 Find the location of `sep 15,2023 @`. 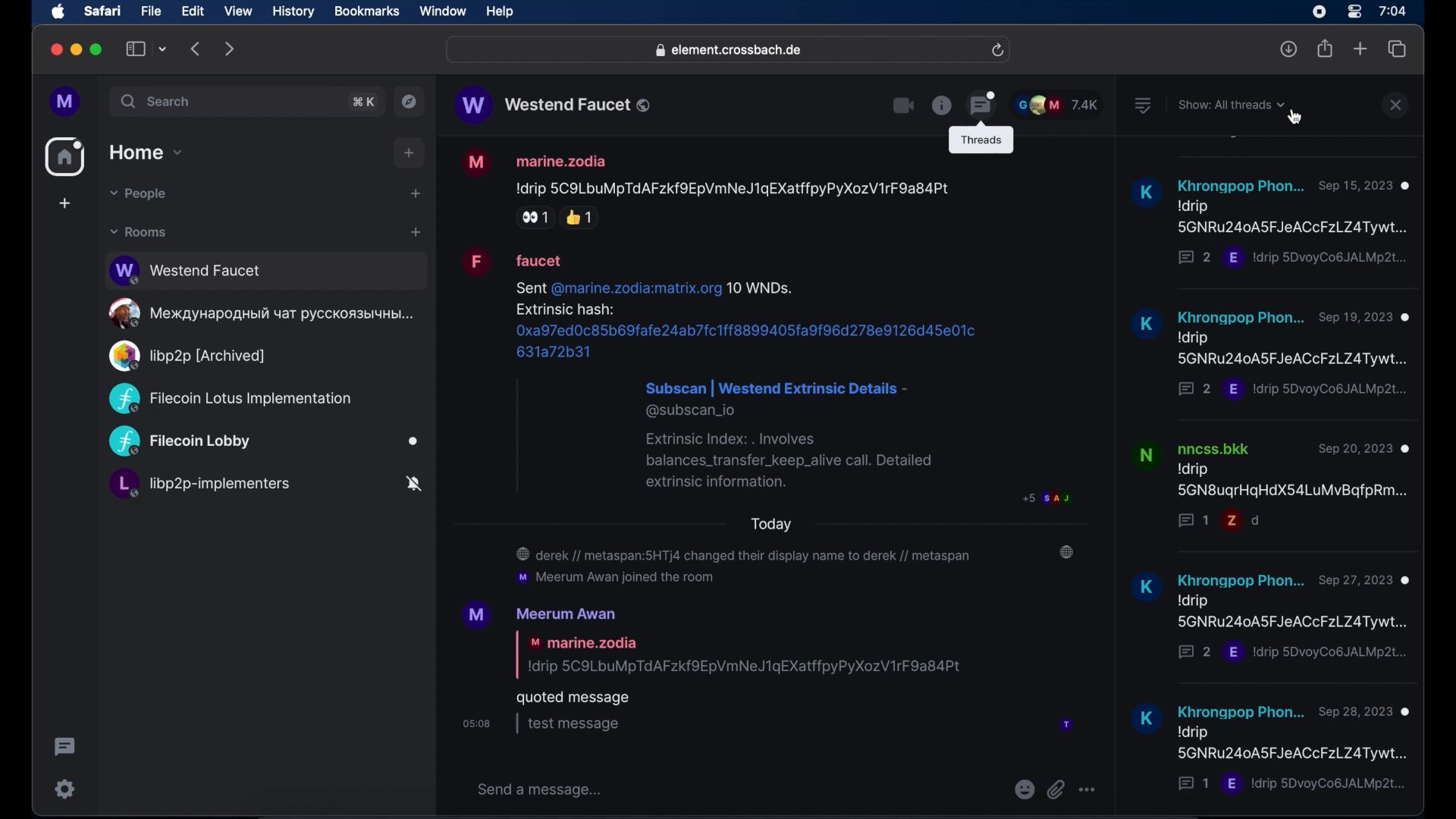

sep 15,2023 @ is located at coordinates (1364, 187).